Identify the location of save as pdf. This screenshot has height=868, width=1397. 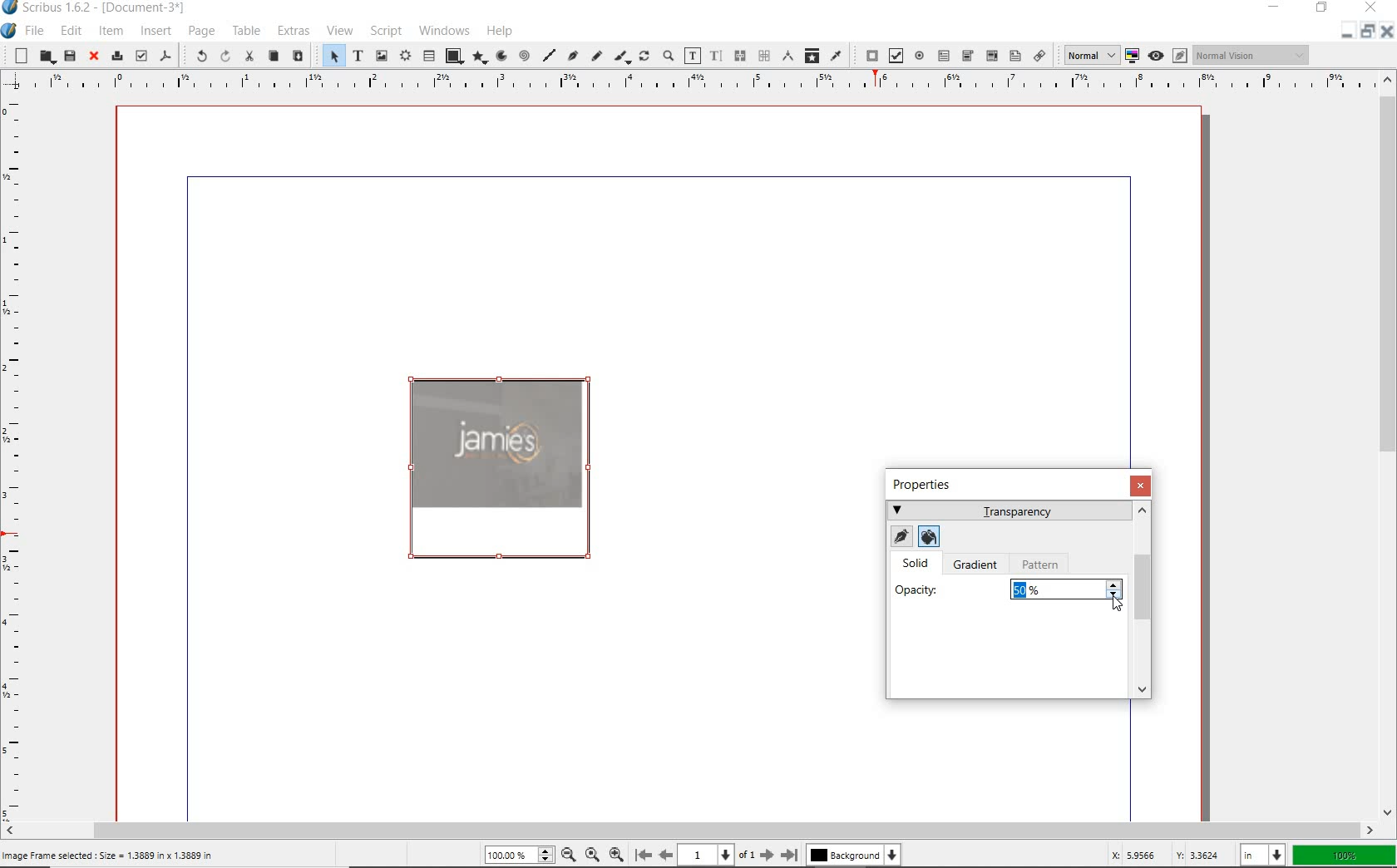
(166, 57).